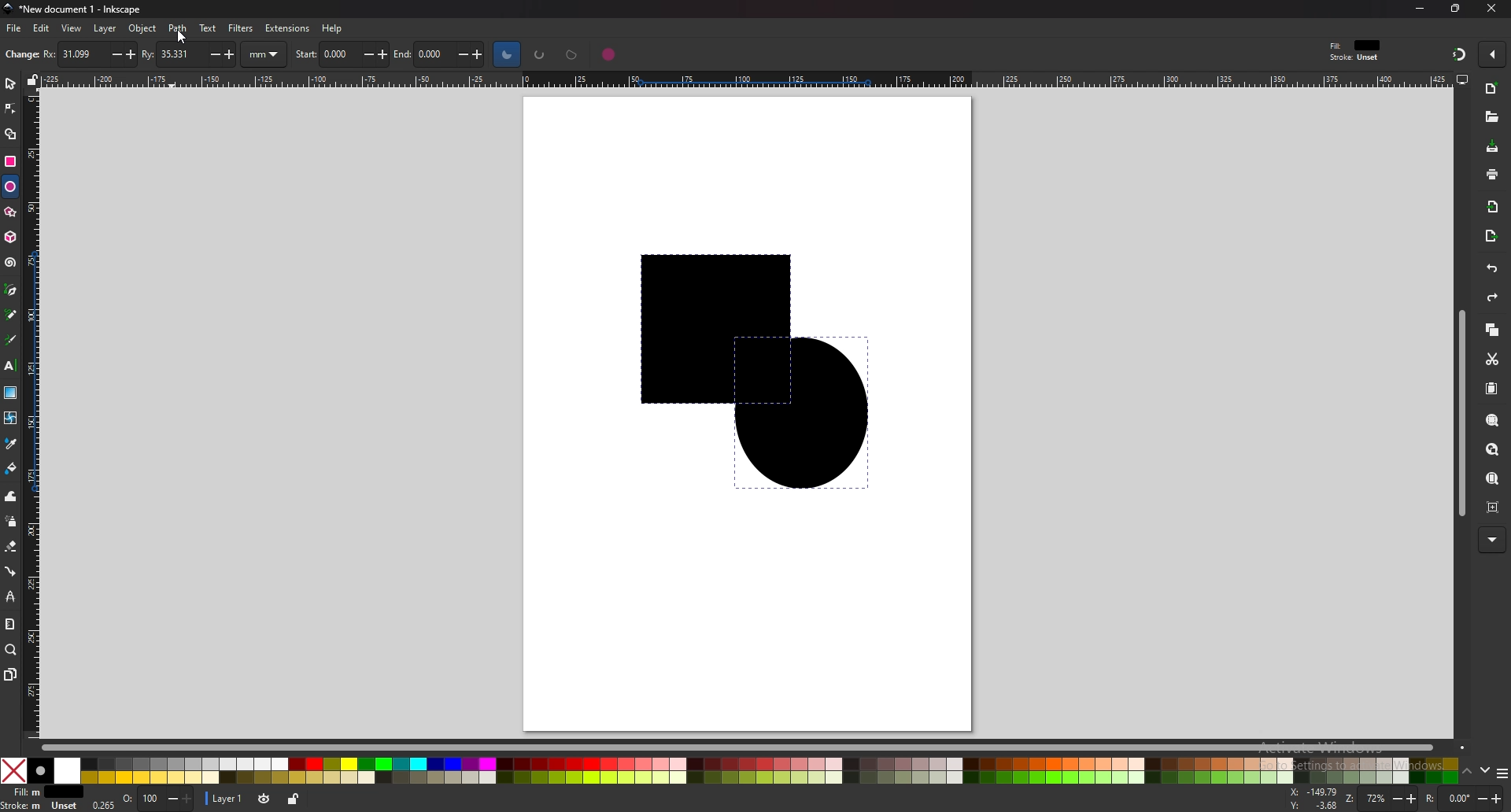 This screenshot has height=812, width=1511. I want to click on scroll bar, so click(1459, 412).